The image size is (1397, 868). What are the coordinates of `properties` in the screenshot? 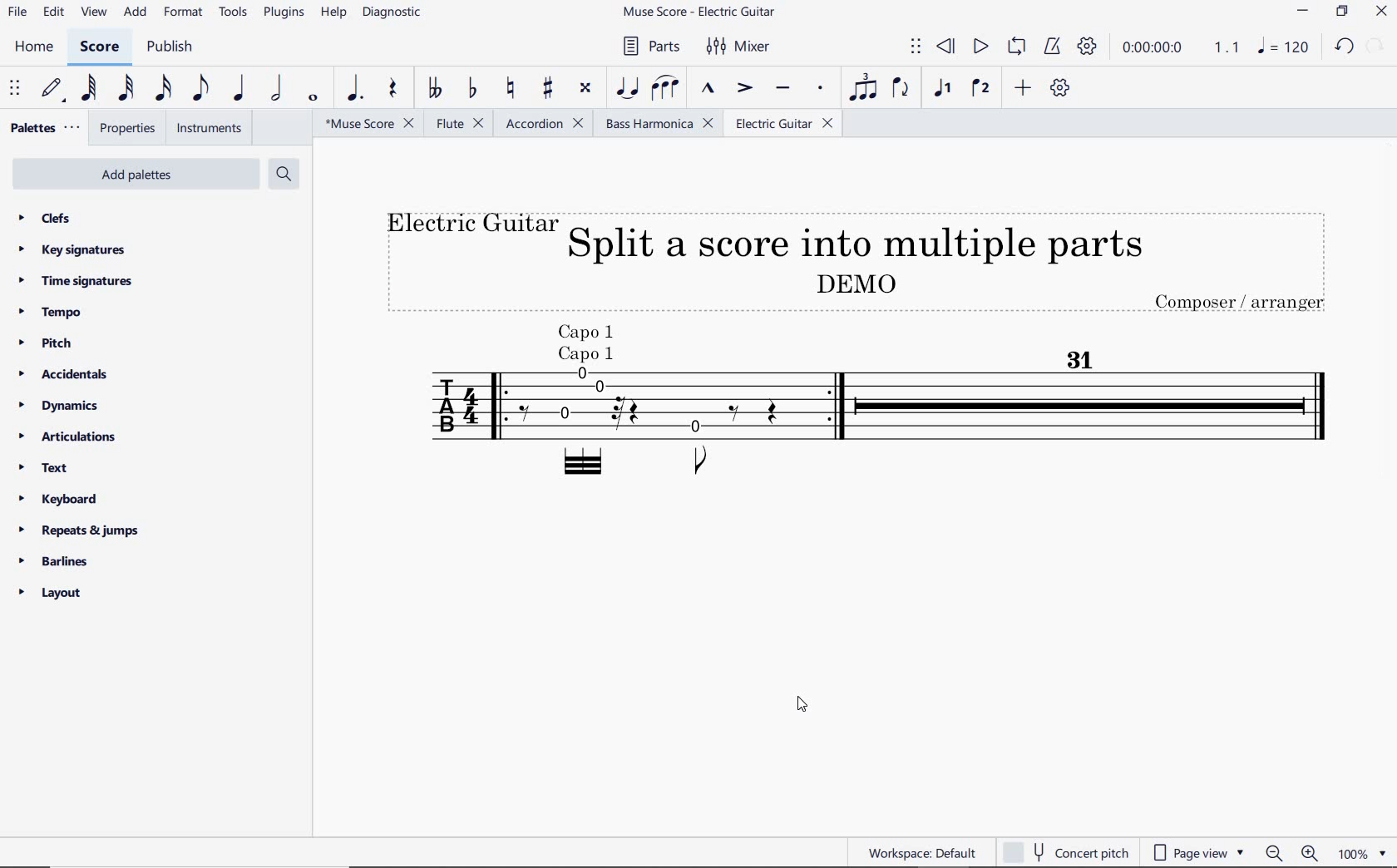 It's located at (130, 129).